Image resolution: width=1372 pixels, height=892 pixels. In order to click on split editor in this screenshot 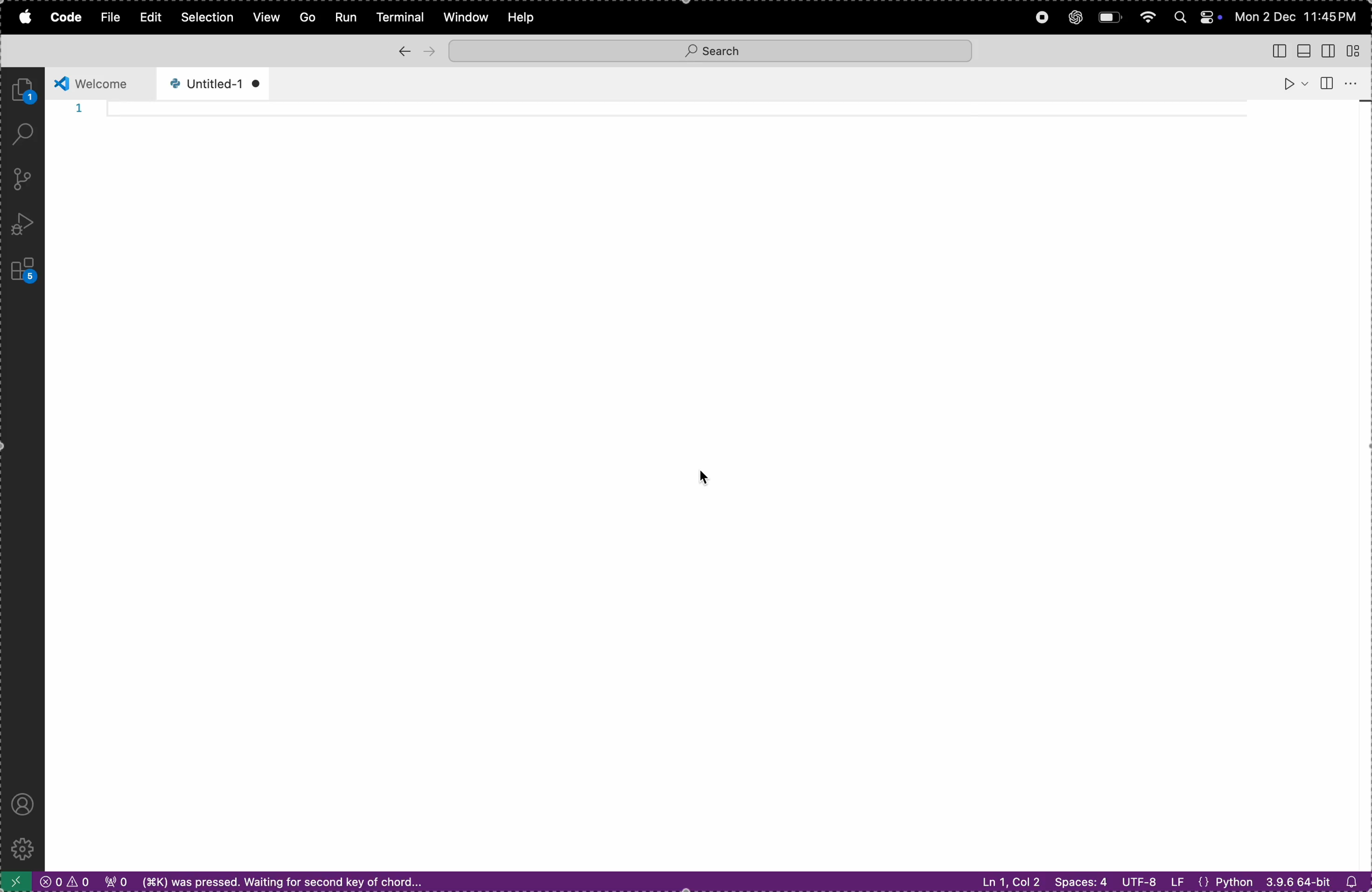, I will do `click(1325, 82)`.